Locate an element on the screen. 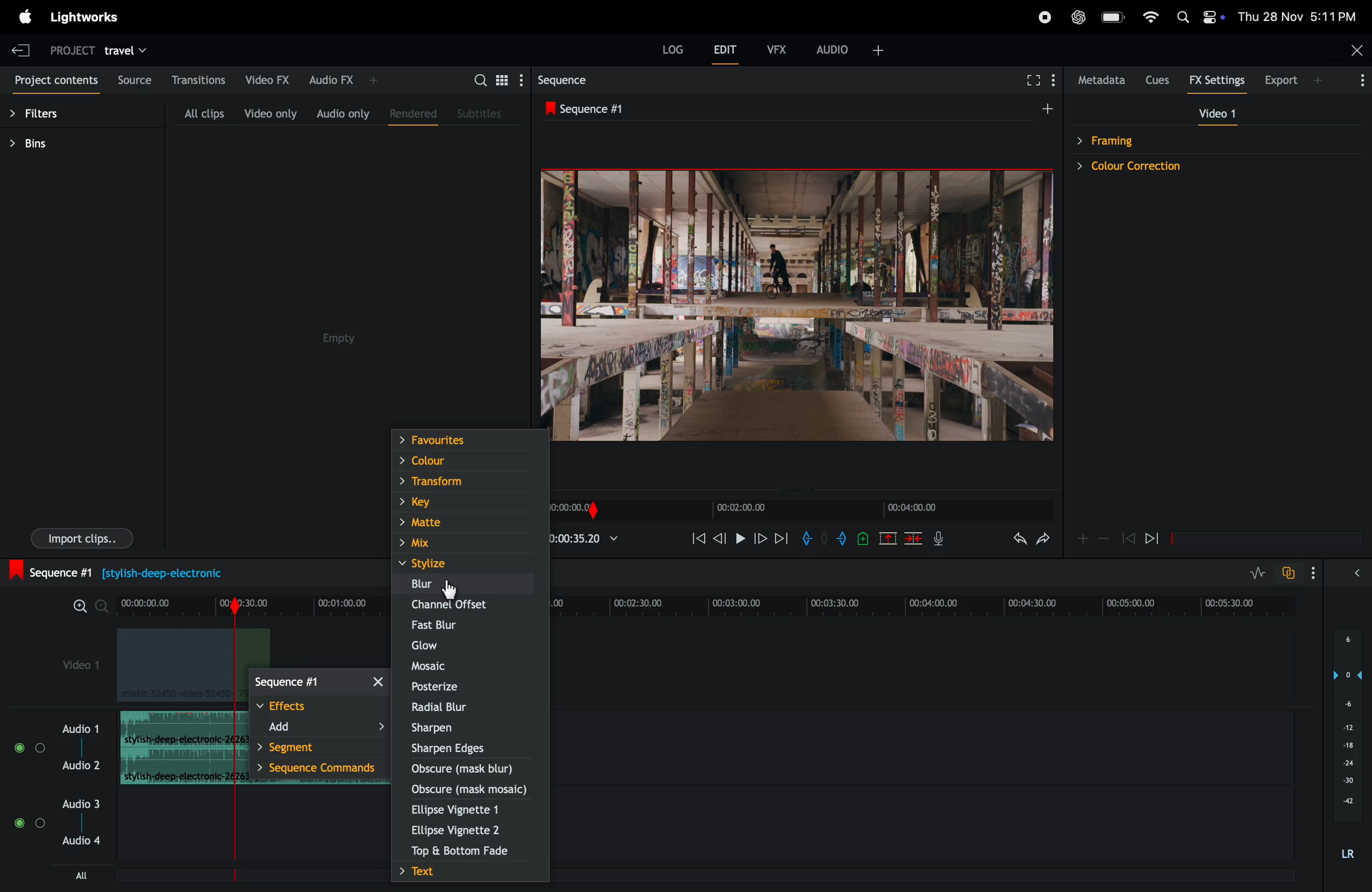 The width and height of the screenshot is (1372, 892). project contents is located at coordinates (54, 82).